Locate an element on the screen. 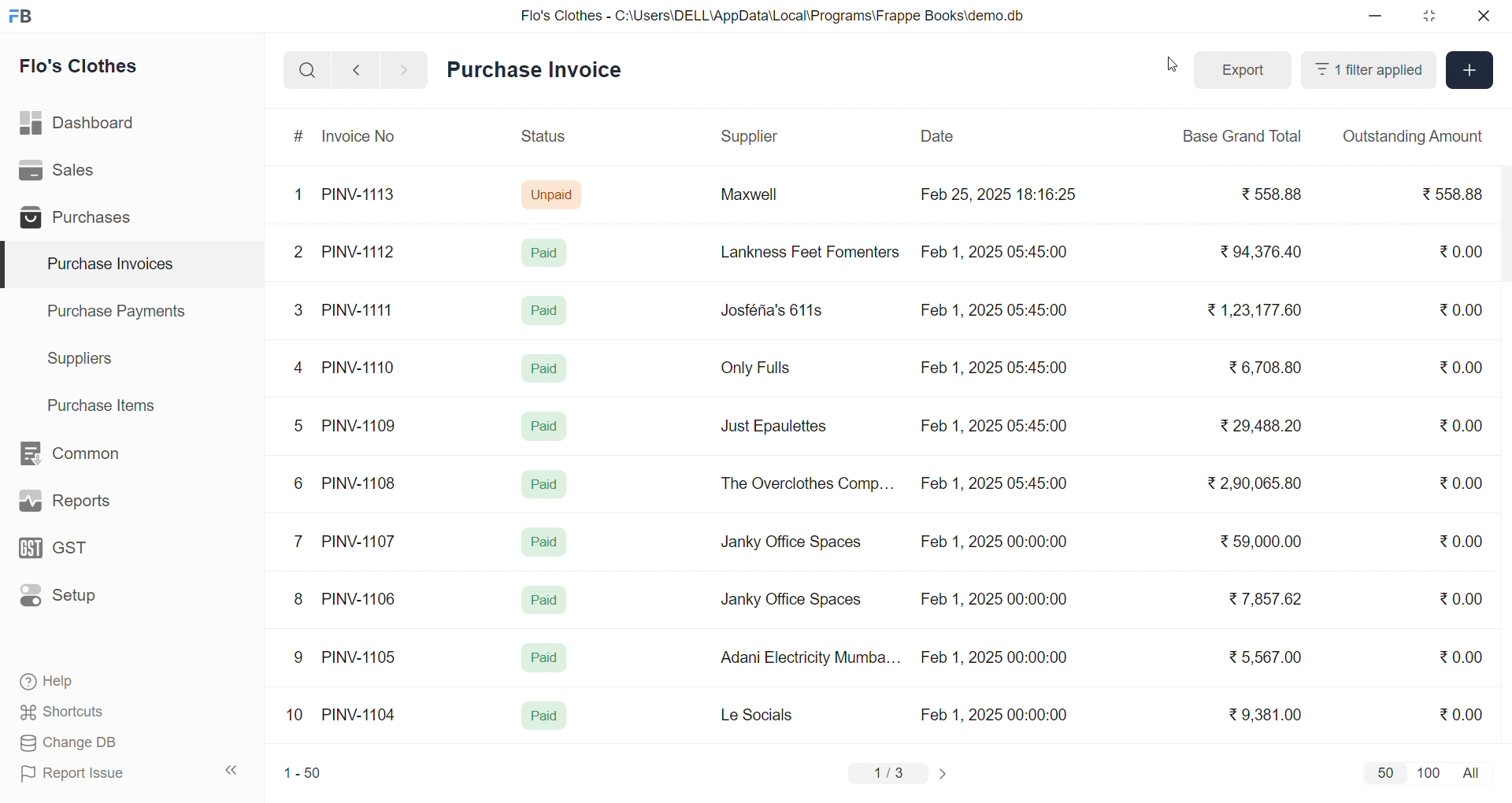  Maxwell is located at coordinates (767, 200).